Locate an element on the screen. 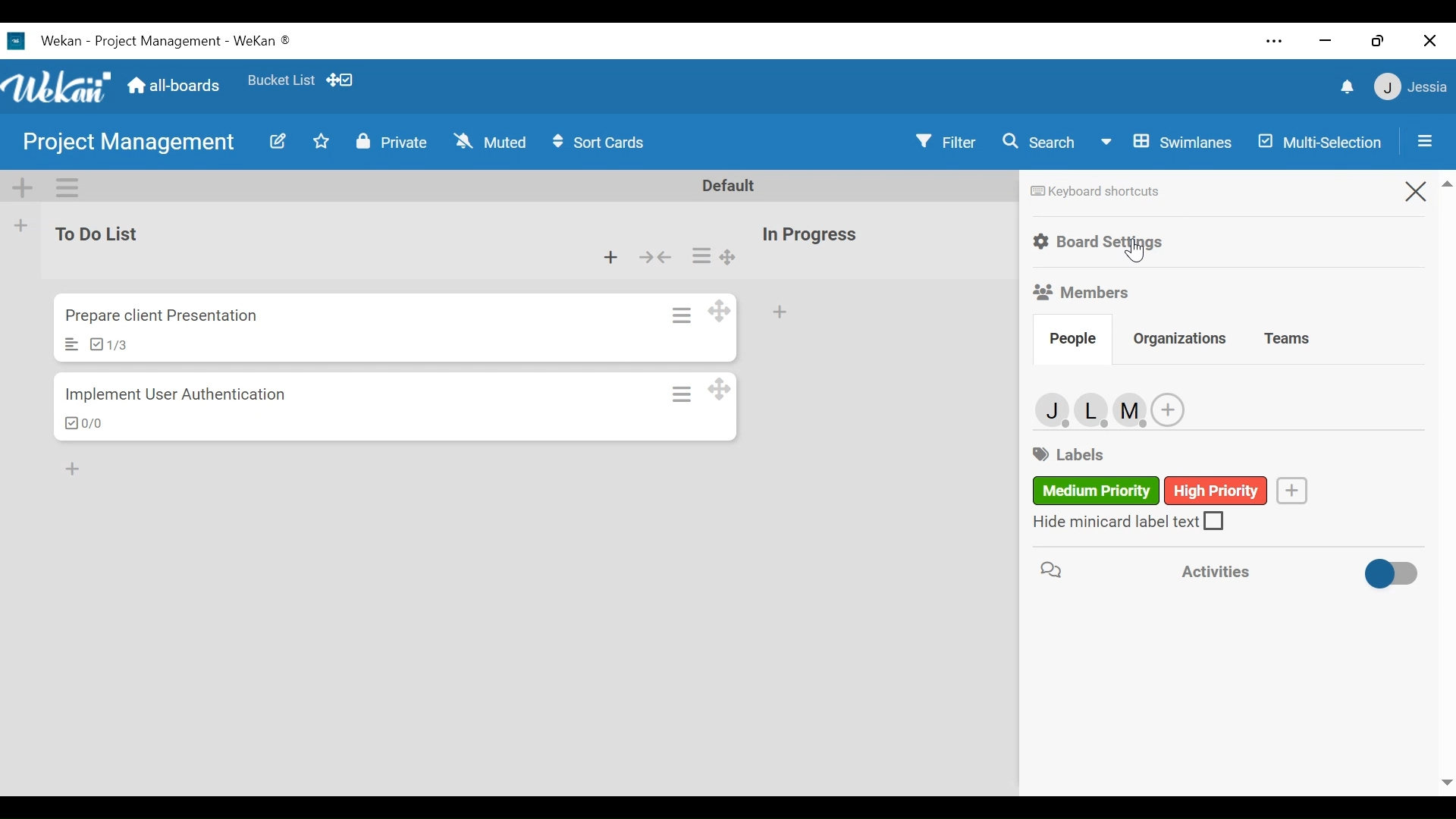  Add member is located at coordinates (1168, 409).